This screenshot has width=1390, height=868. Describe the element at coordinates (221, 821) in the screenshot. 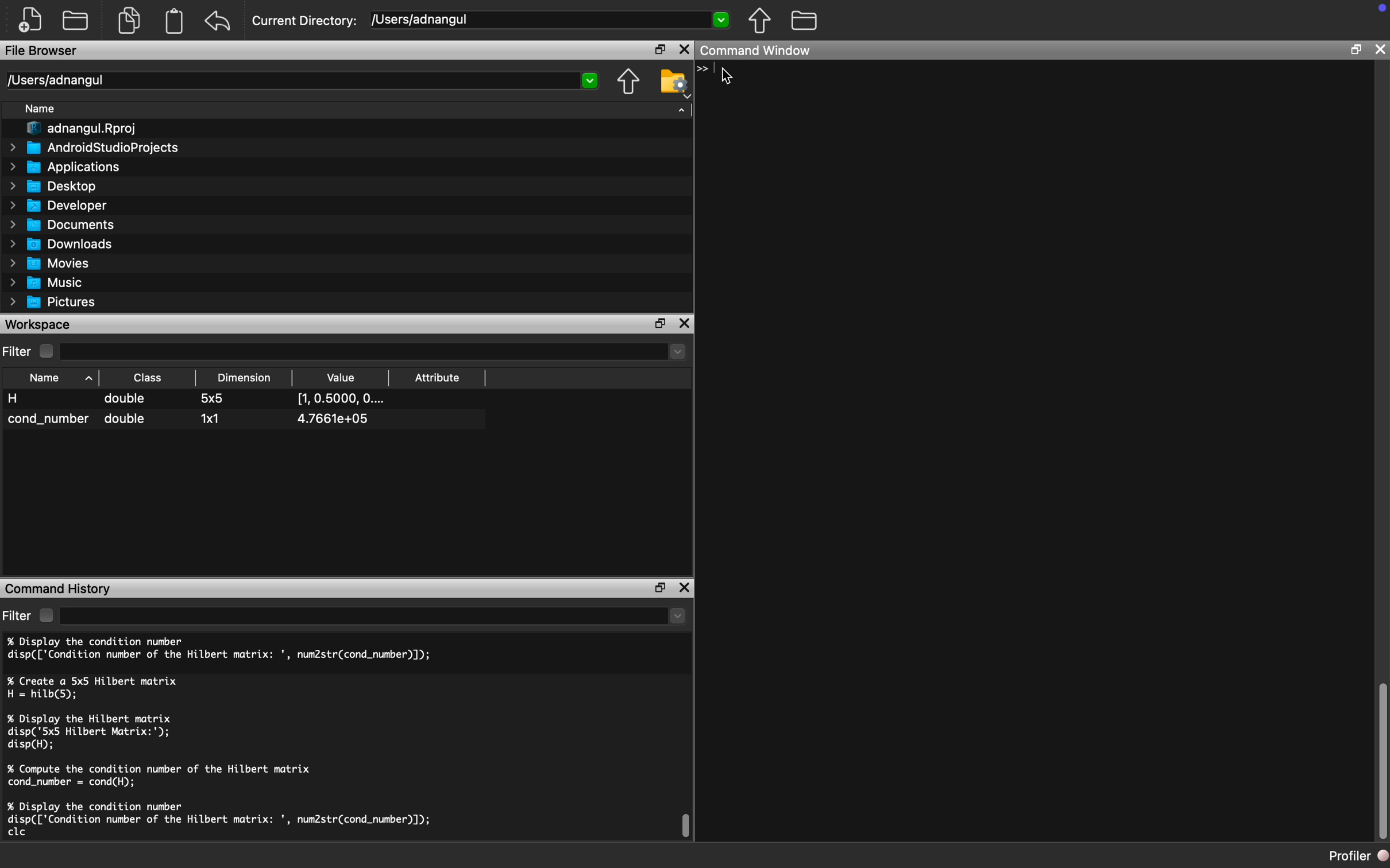

I see `% Display the condition number
disp(['Condition number of the Hilbert matrix: ', num2str(cond_number)]);
clc` at that location.